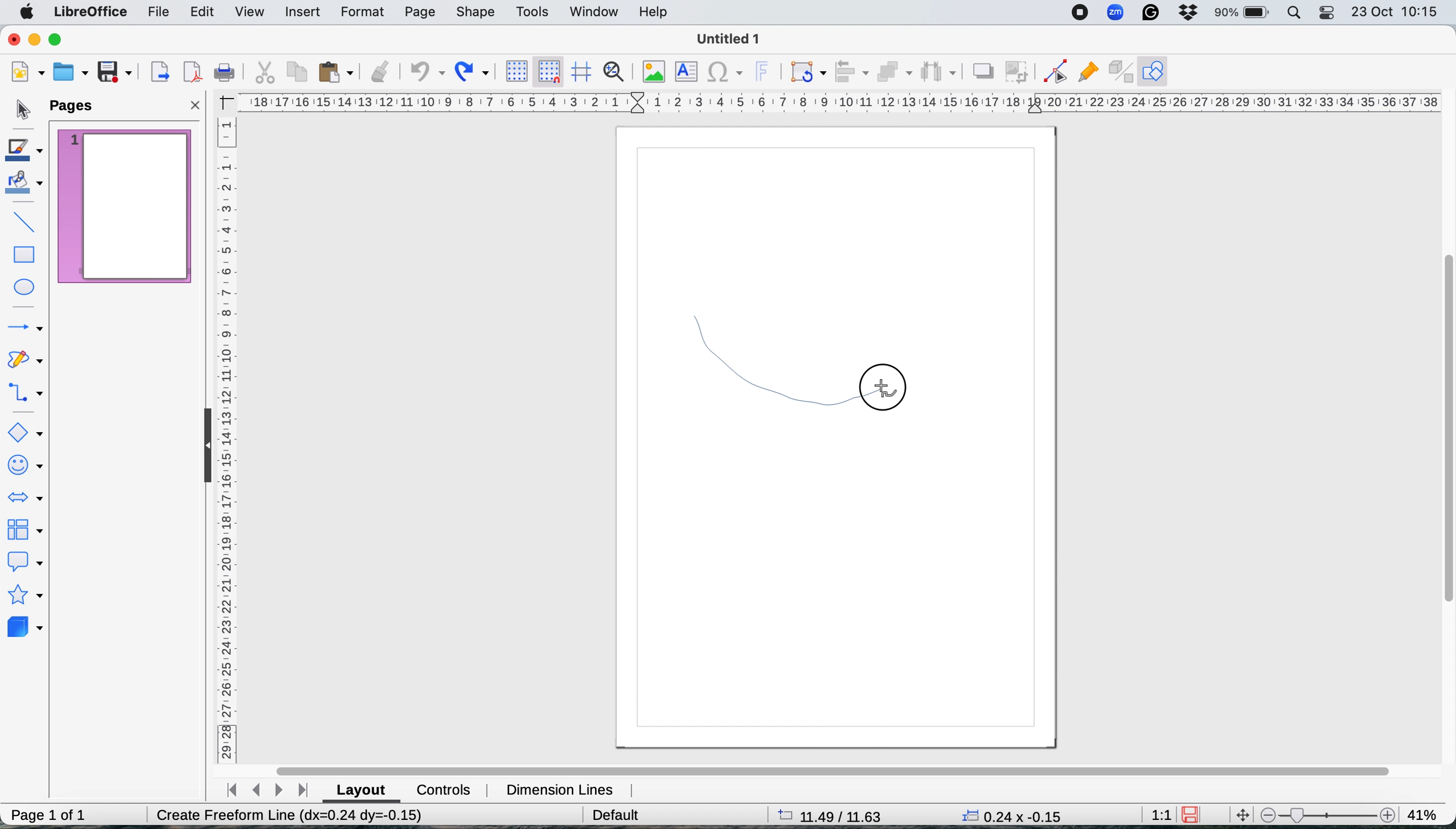 The height and width of the screenshot is (829, 1456). I want to click on show draw functions, so click(1153, 72).